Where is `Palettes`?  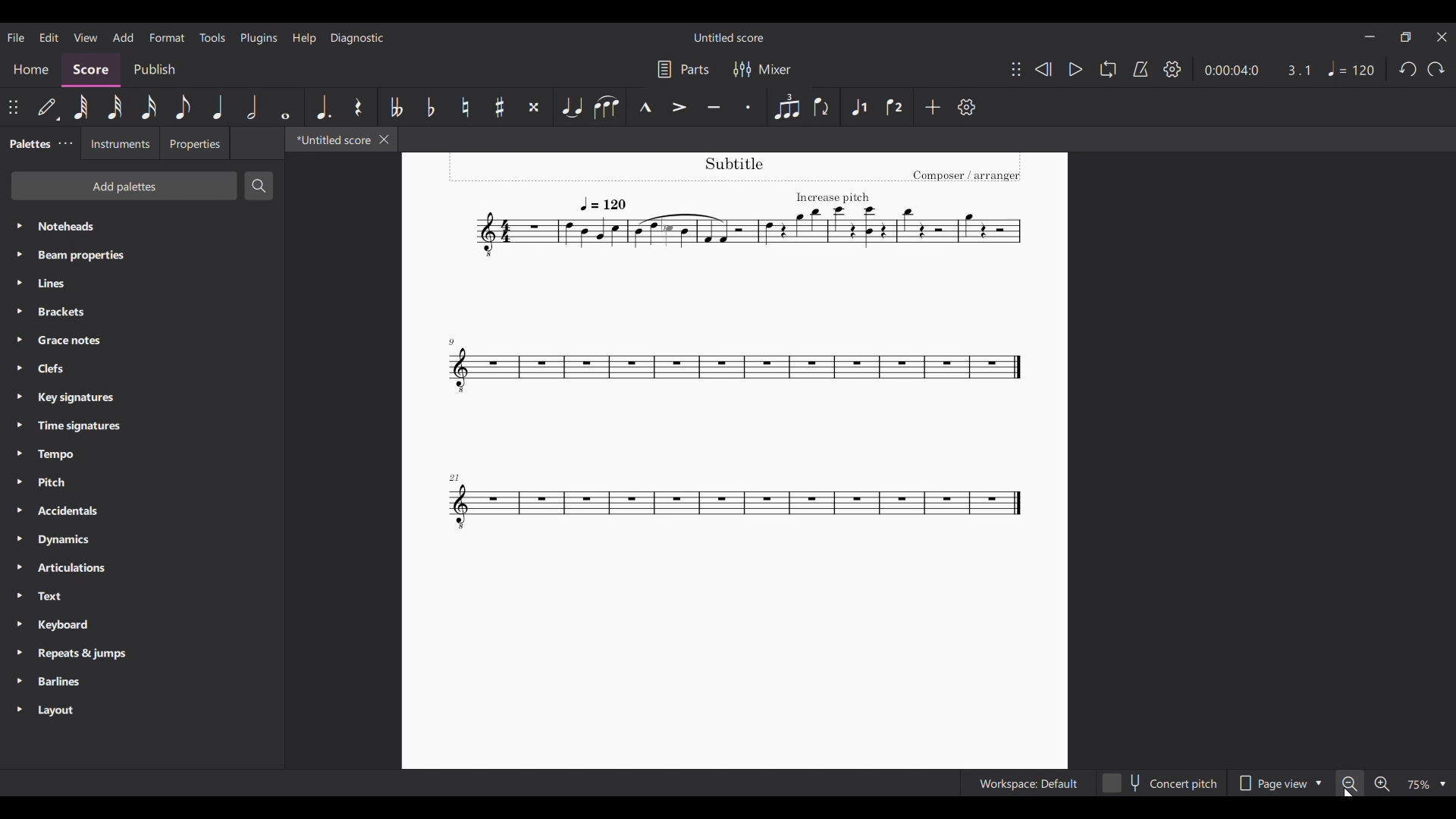 Palettes is located at coordinates (27, 145).